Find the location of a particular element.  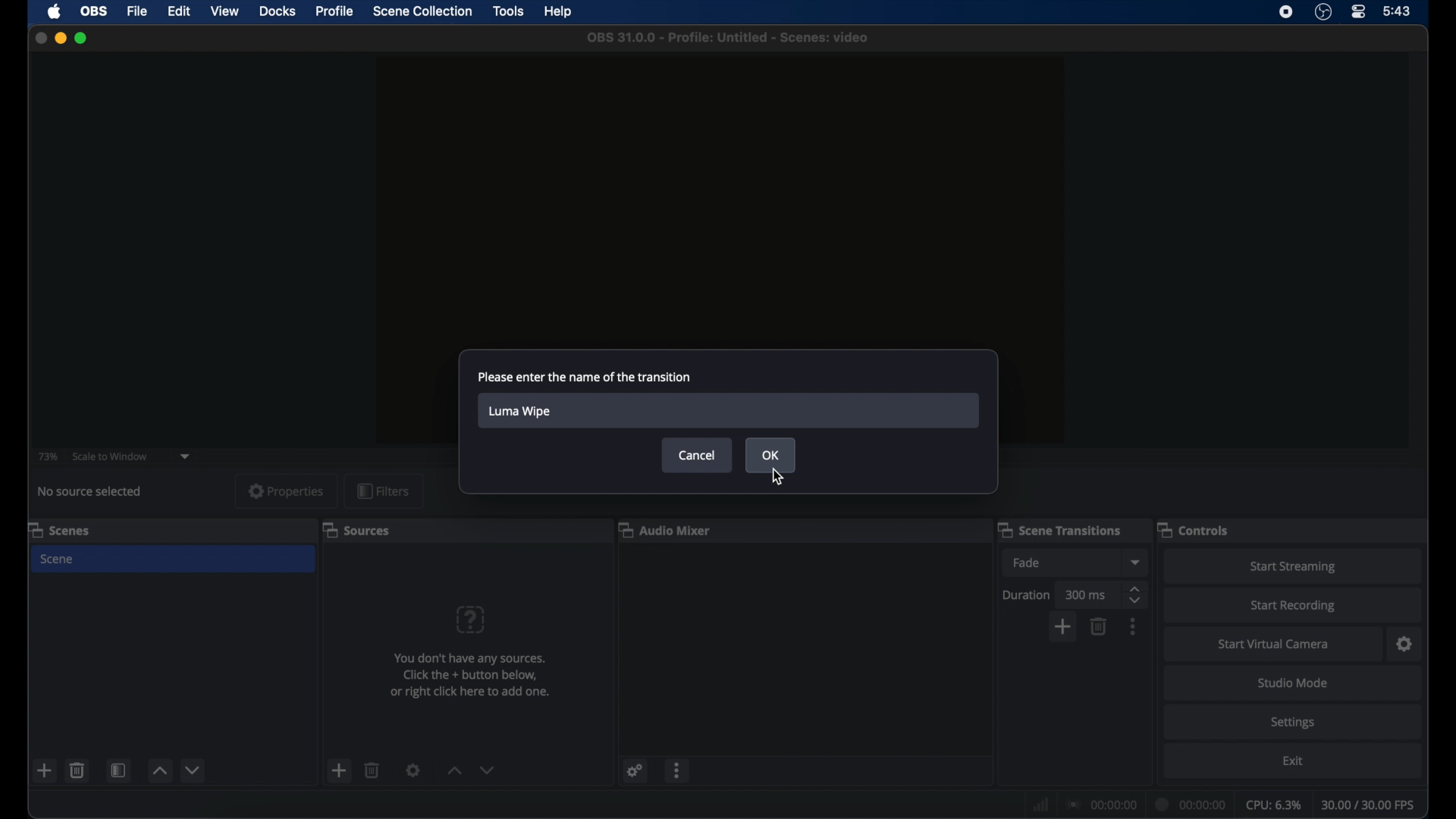

scale to window is located at coordinates (110, 455).